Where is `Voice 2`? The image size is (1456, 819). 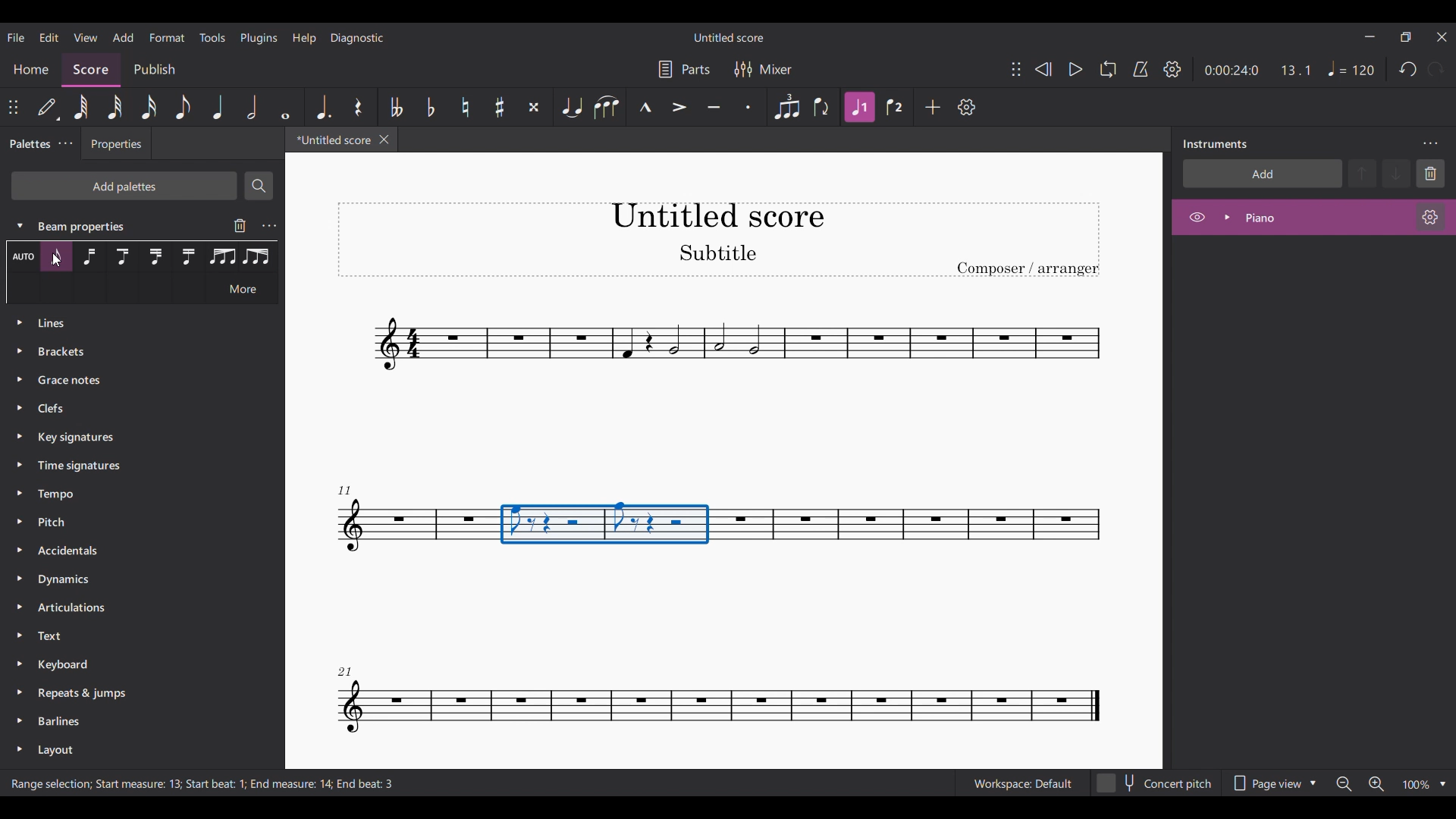 Voice 2 is located at coordinates (894, 107).